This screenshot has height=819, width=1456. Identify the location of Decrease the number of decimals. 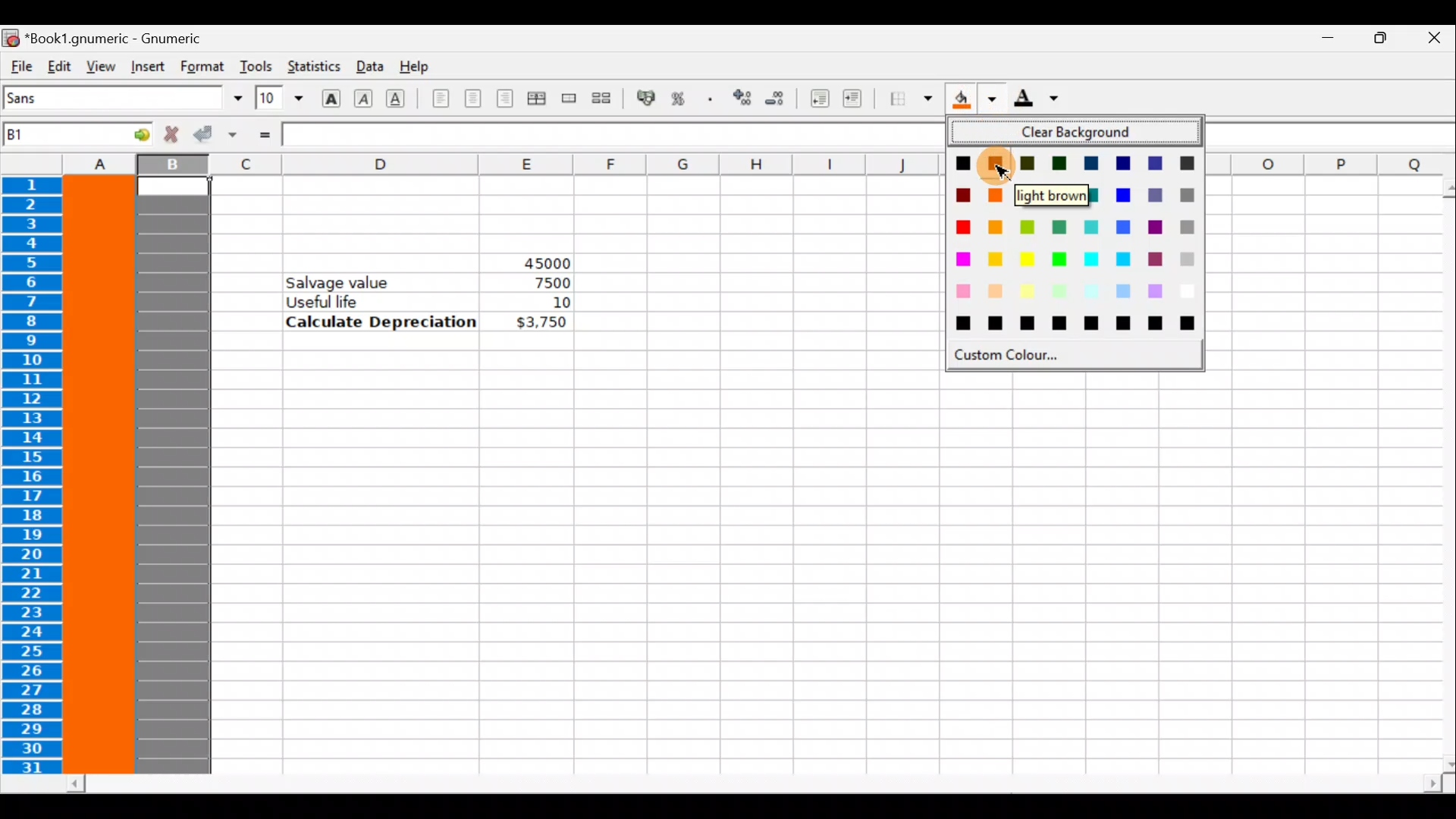
(775, 98).